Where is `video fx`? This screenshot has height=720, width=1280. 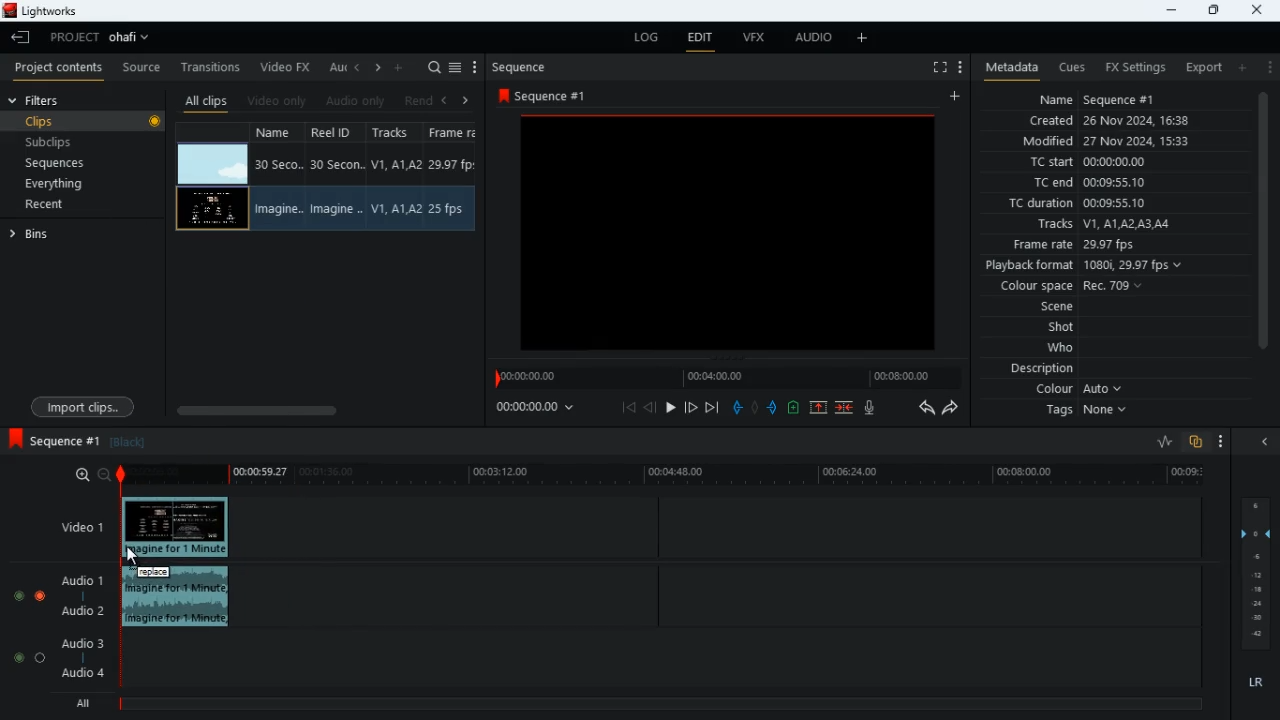
video fx is located at coordinates (288, 67).